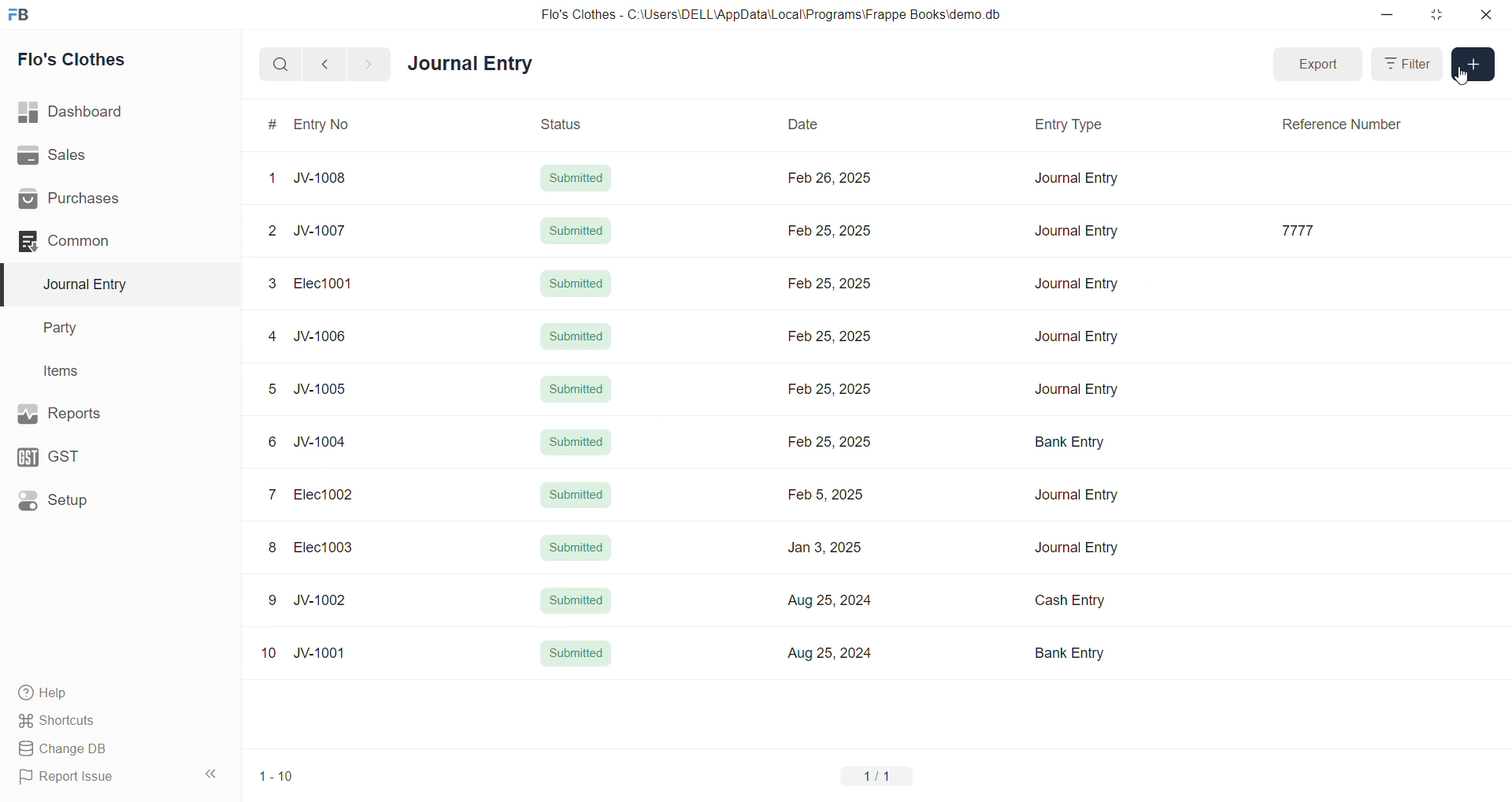 The image size is (1512, 802). I want to click on JV-1001, so click(321, 652).